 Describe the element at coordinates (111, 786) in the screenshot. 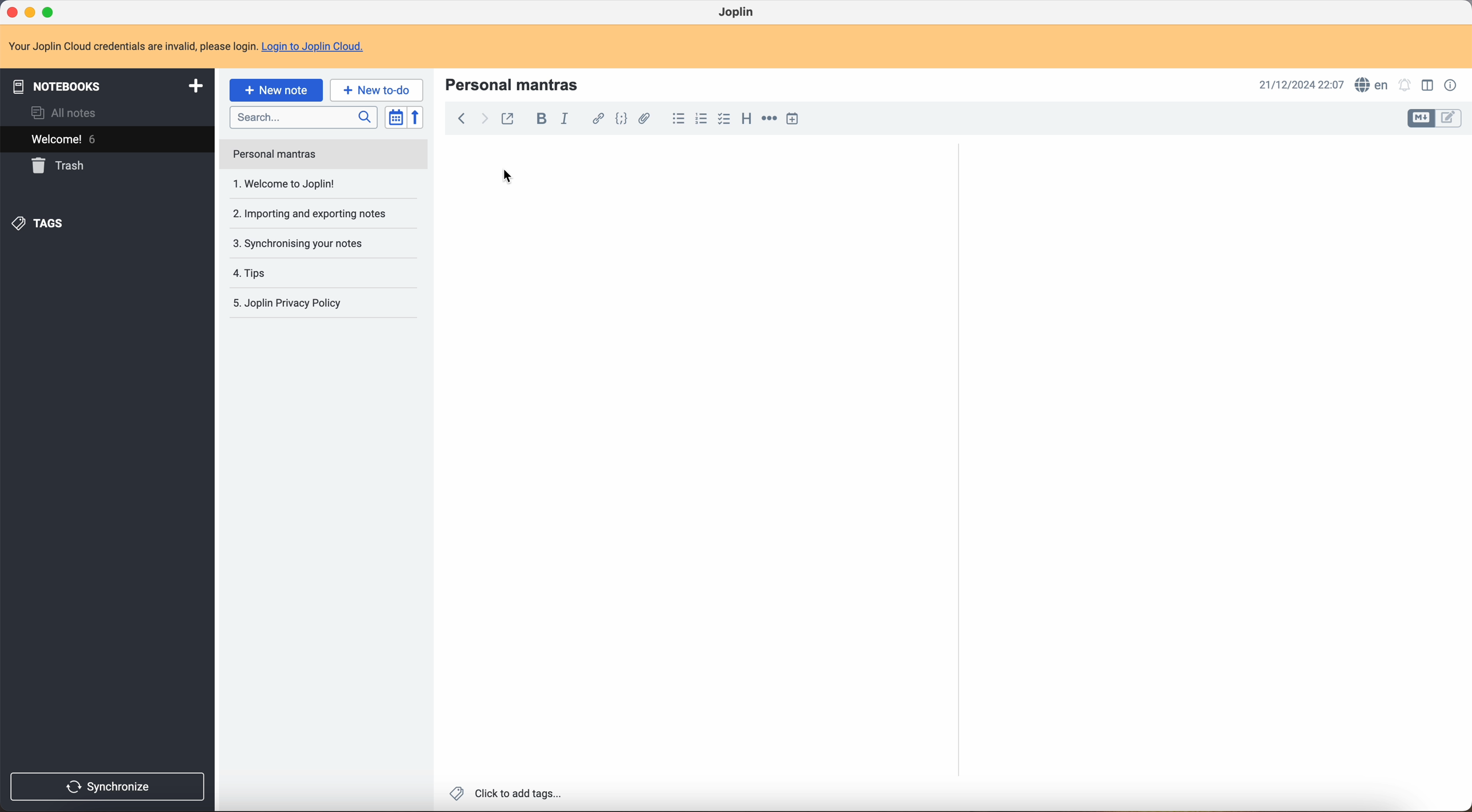

I see `synchronise` at that location.